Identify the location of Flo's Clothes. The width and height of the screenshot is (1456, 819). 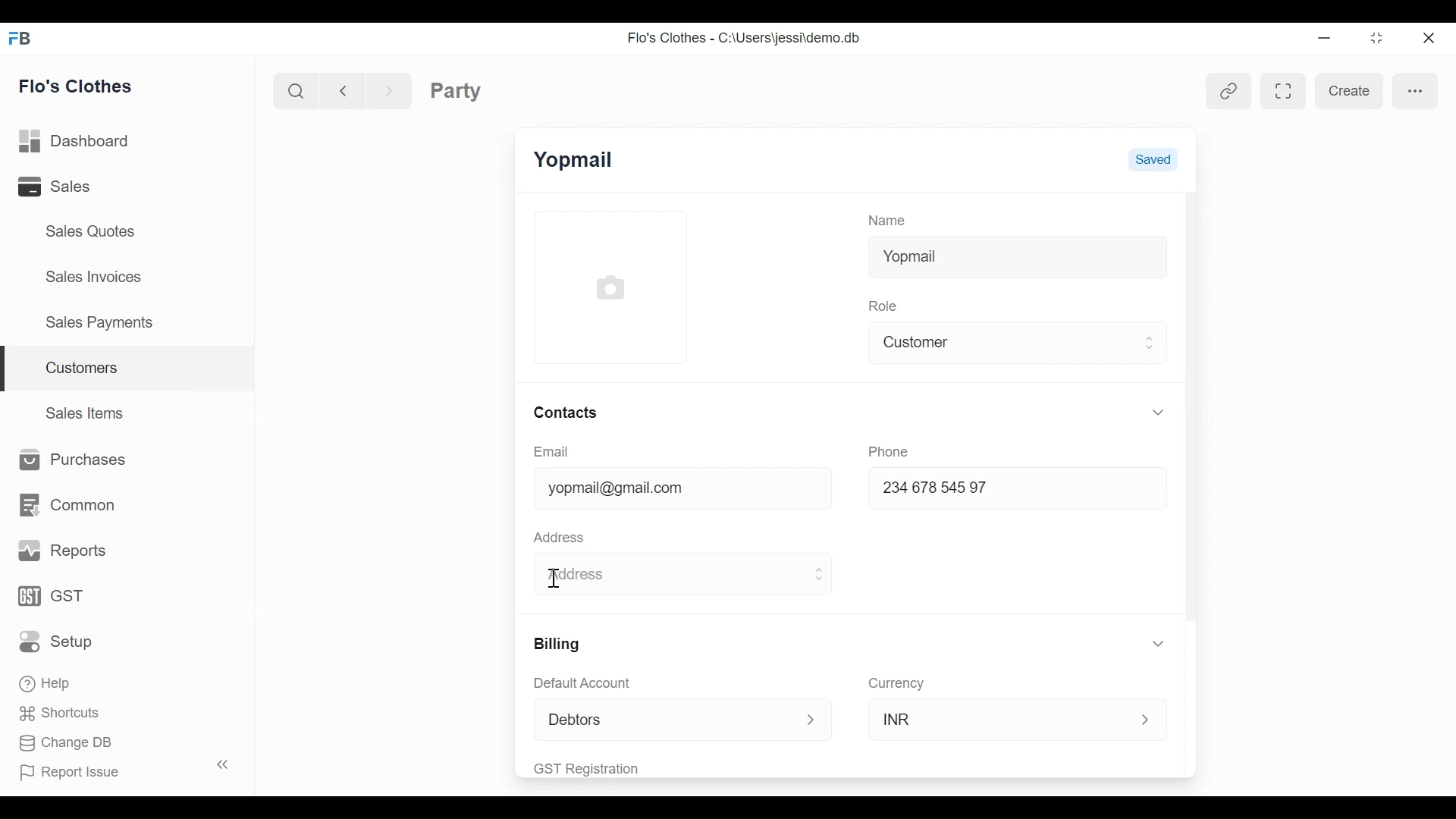
(78, 86).